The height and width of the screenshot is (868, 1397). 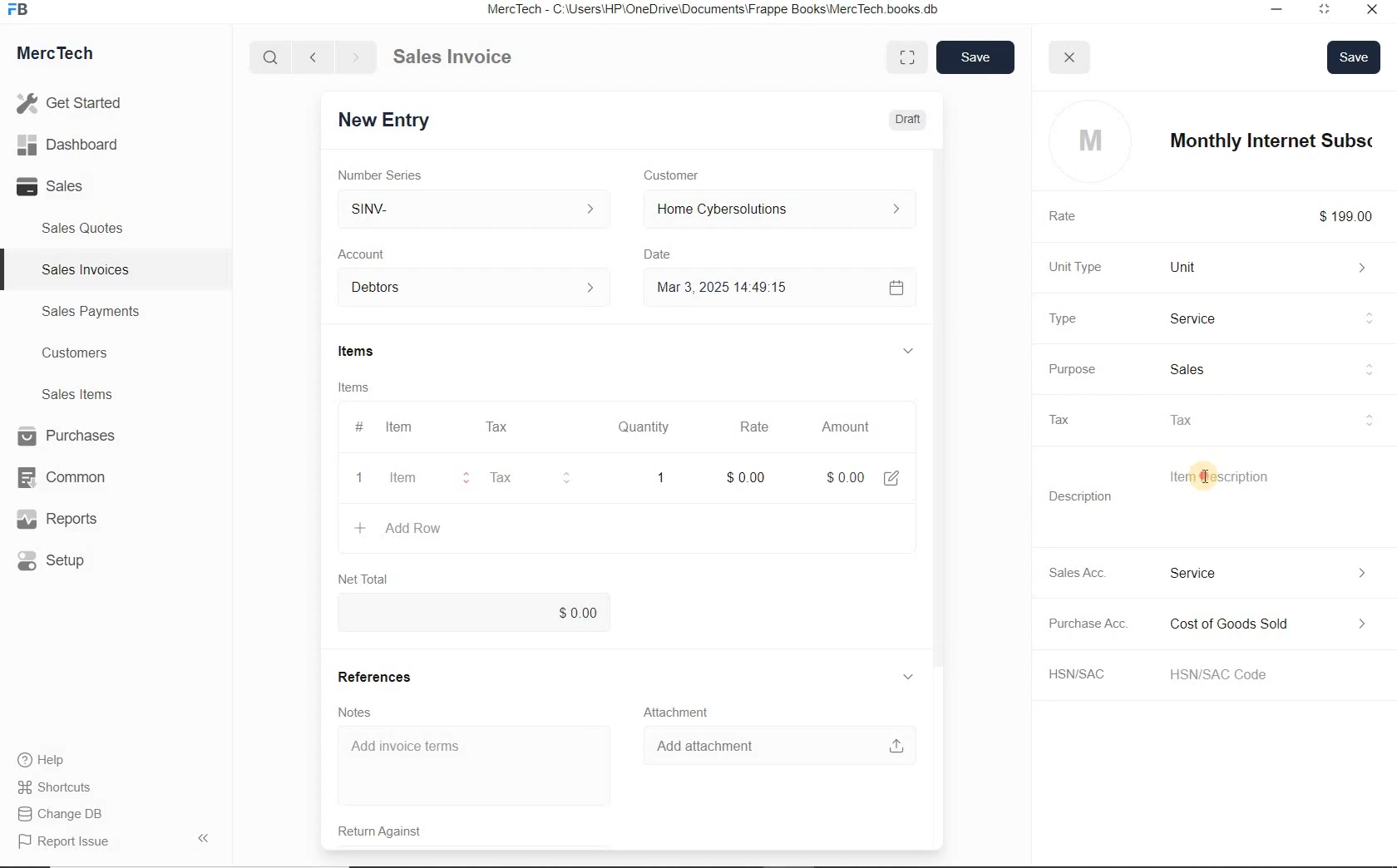 What do you see at coordinates (474, 209) in the screenshot?
I see `SINV-` at bounding box center [474, 209].